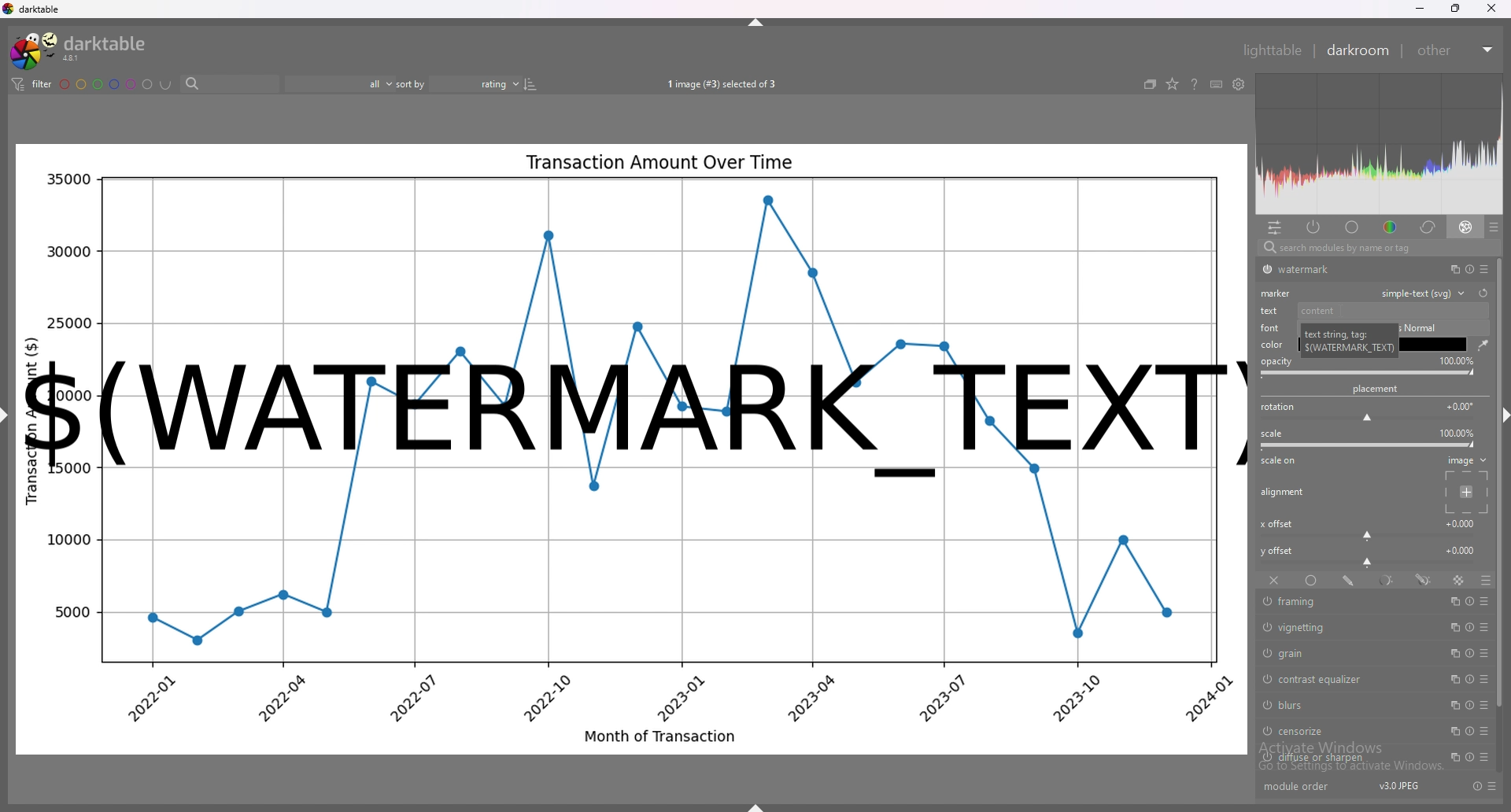 The width and height of the screenshot is (1511, 812). What do you see at coordinates (1489, 9) in the screenshot?
I see `close` at bounding box center [1489, 9].